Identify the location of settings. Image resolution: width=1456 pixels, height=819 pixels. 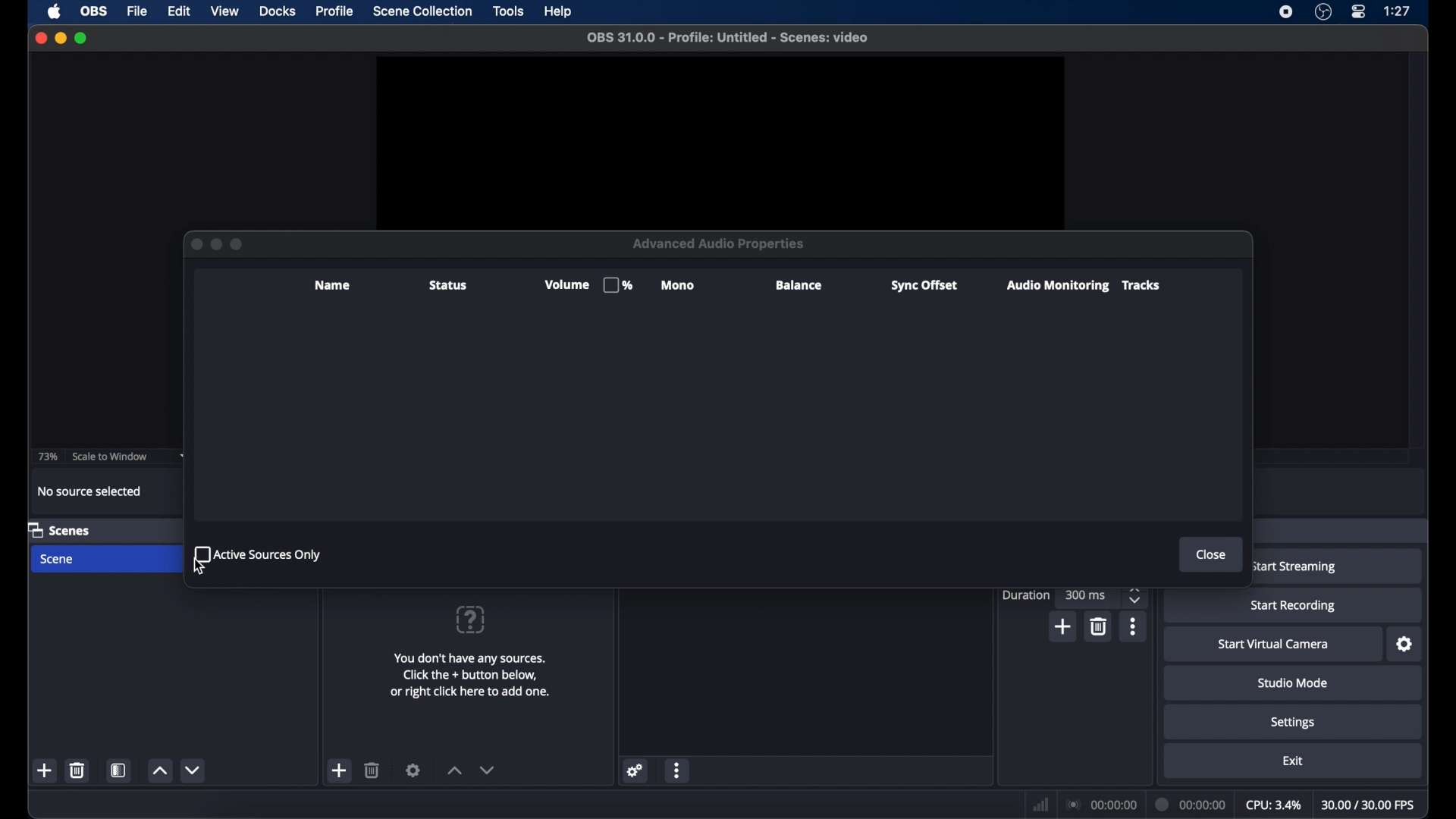
(414, 770).